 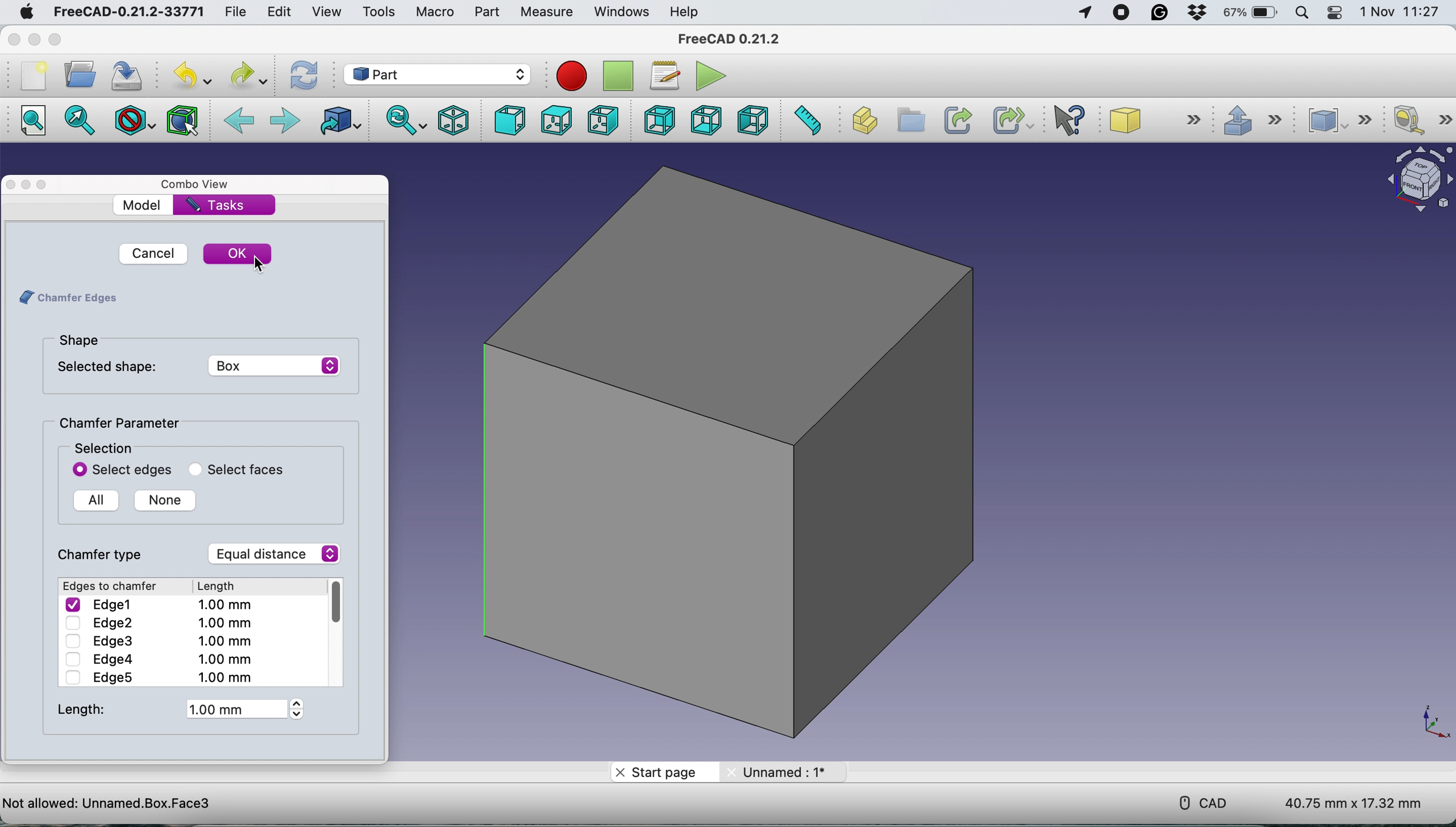 I want to click on selected shape, so click(x=199, y=367).